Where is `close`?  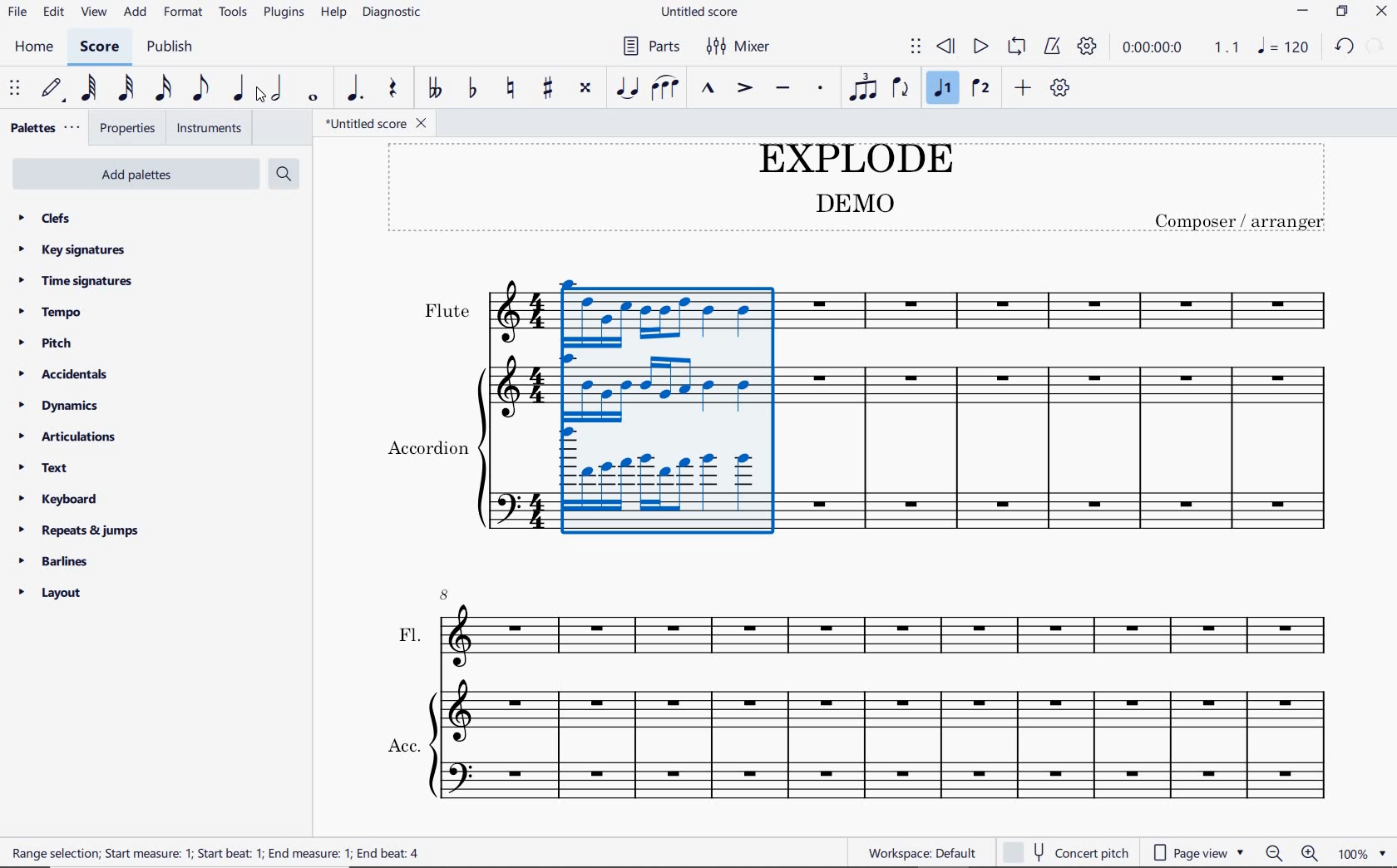
close is located at coordinates (1379, 11).